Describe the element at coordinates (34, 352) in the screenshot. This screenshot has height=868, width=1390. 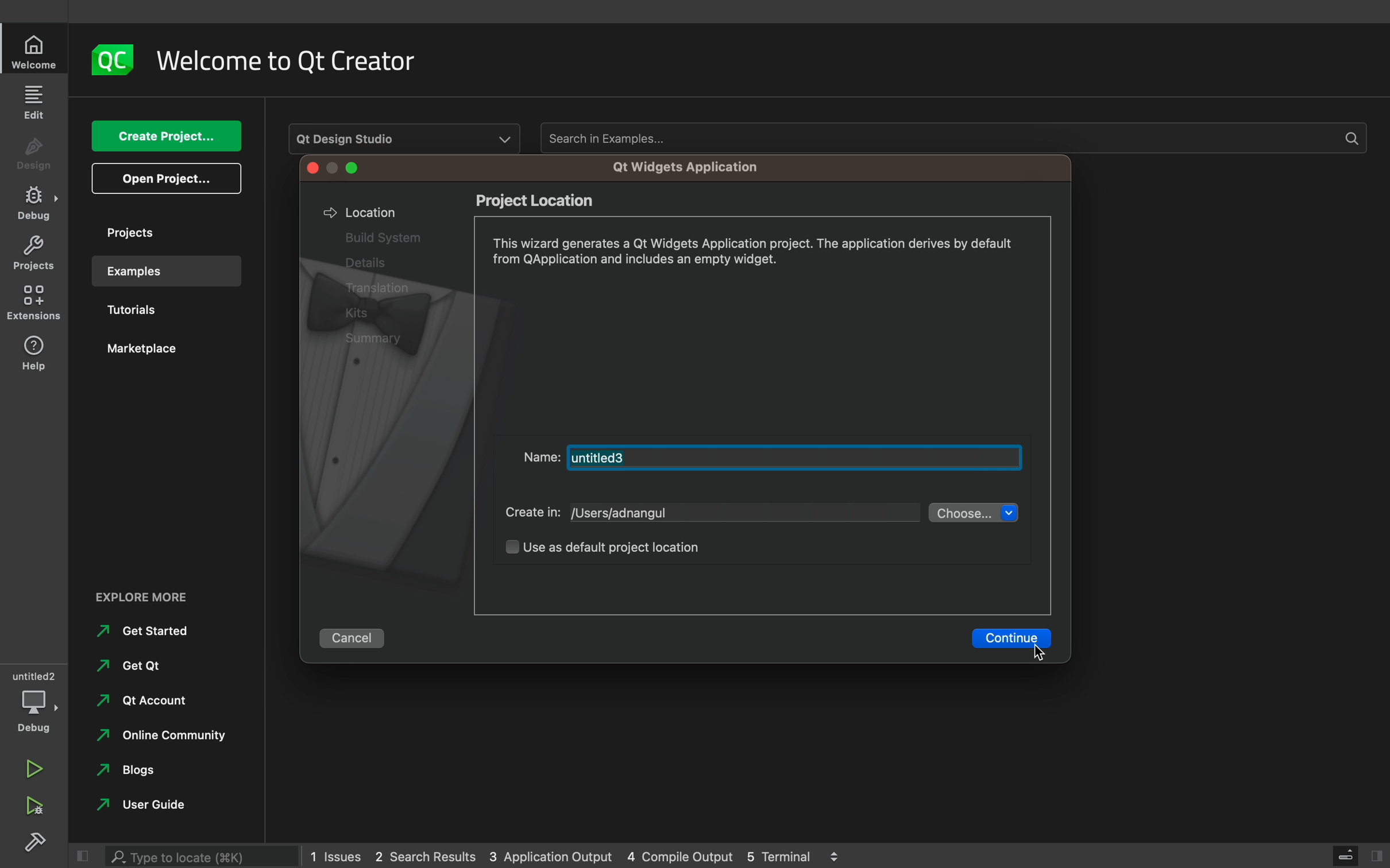
I see `help` at that location.